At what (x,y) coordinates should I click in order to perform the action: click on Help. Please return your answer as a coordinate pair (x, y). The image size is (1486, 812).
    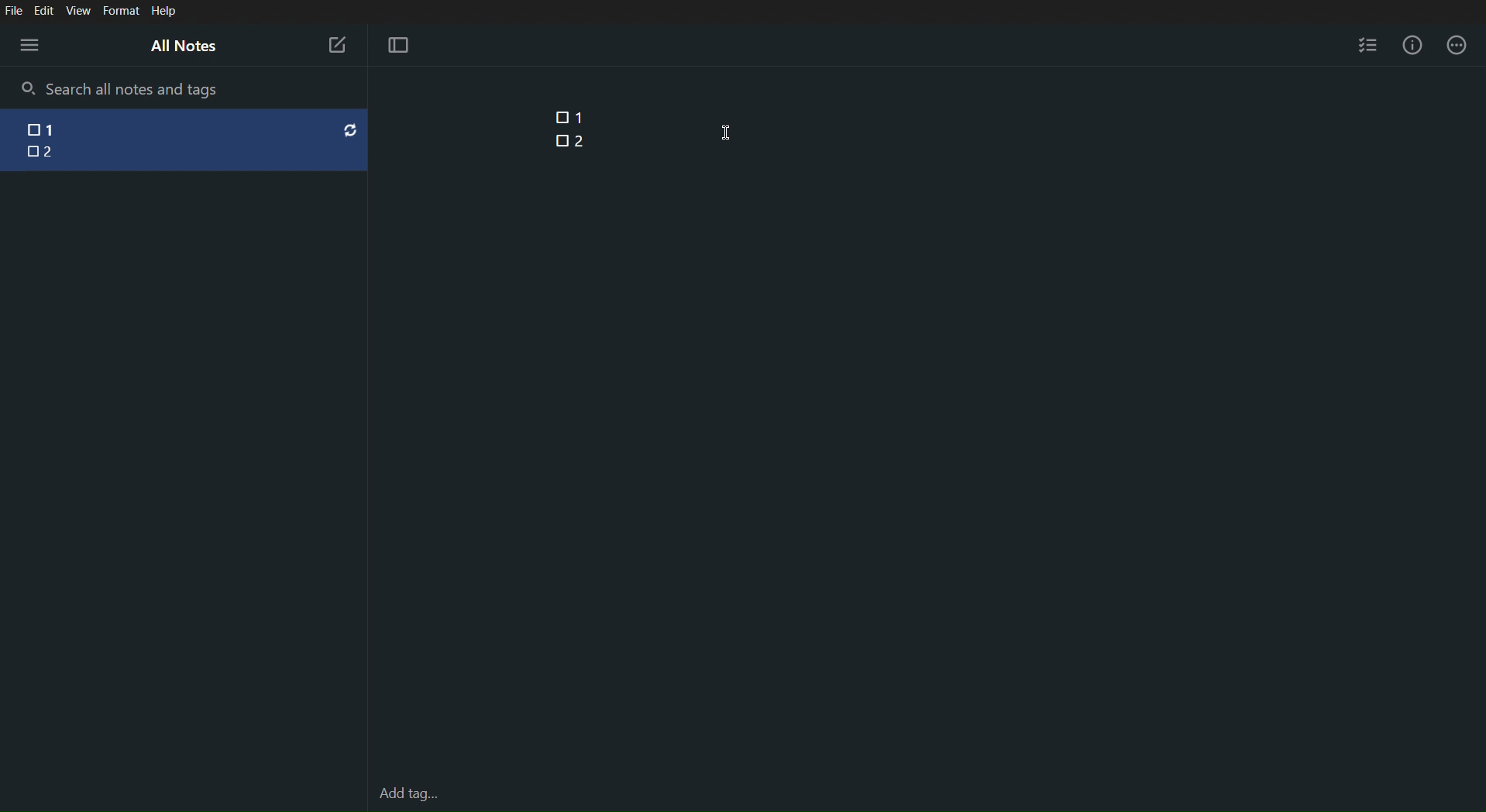
    Looking at the image, I should click on (164, 12).